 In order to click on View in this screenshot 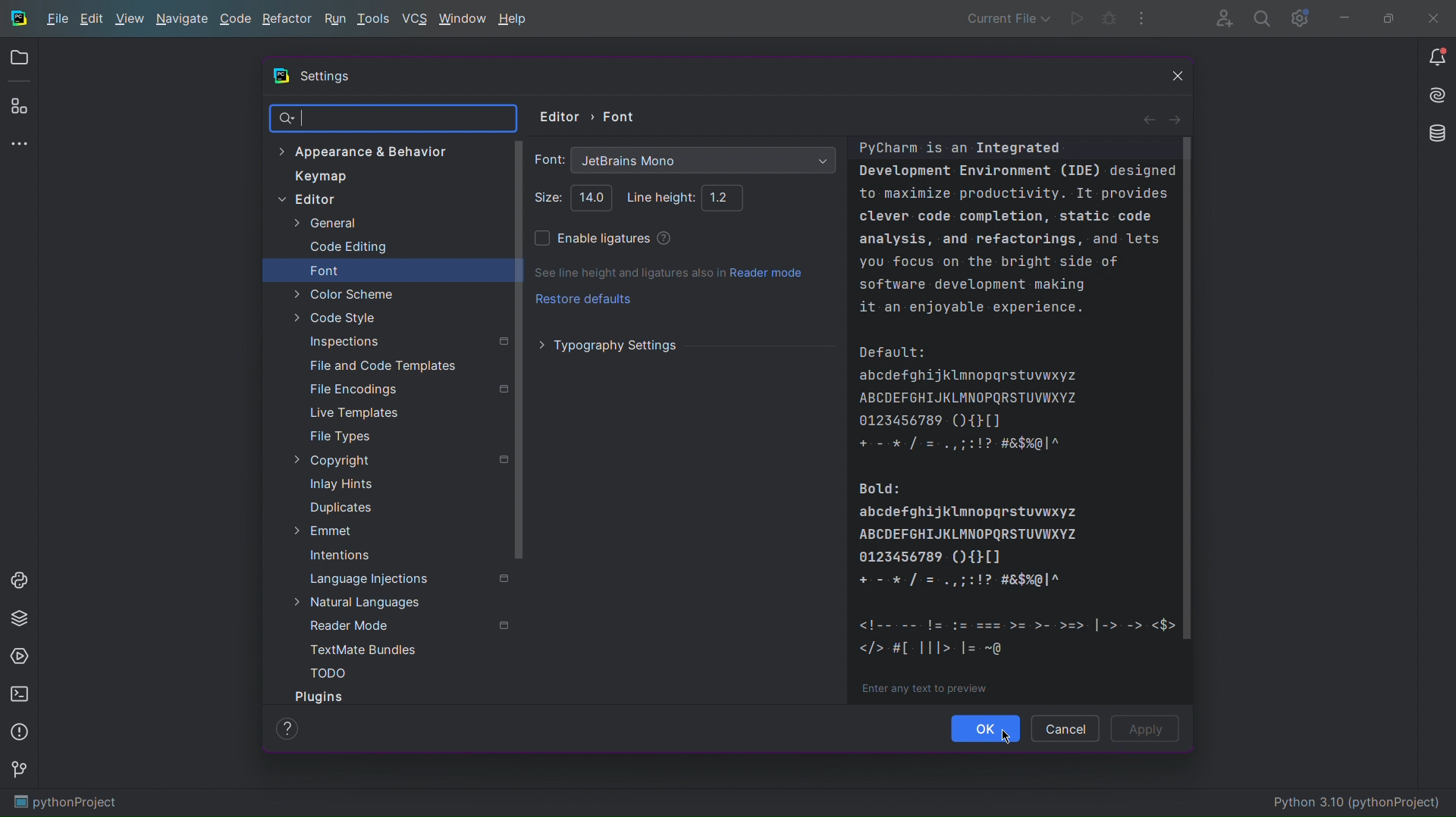, I will do `click(129, 21)`.